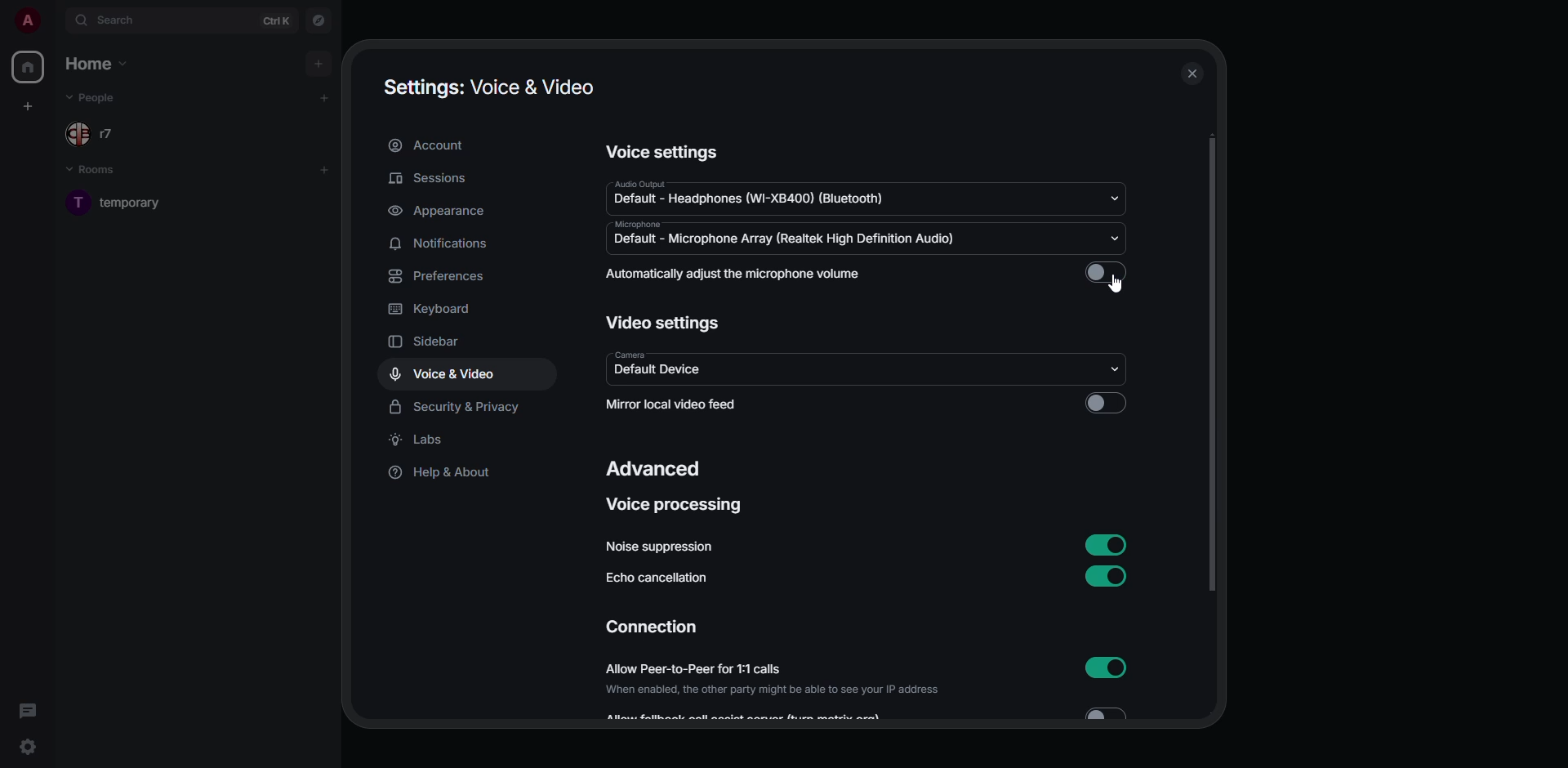 The height and width of the screenshot is (768, 1568). What do you see at coordinates (99, 64) in the screenshot?
I see `home` at bounding box center [99, 64].